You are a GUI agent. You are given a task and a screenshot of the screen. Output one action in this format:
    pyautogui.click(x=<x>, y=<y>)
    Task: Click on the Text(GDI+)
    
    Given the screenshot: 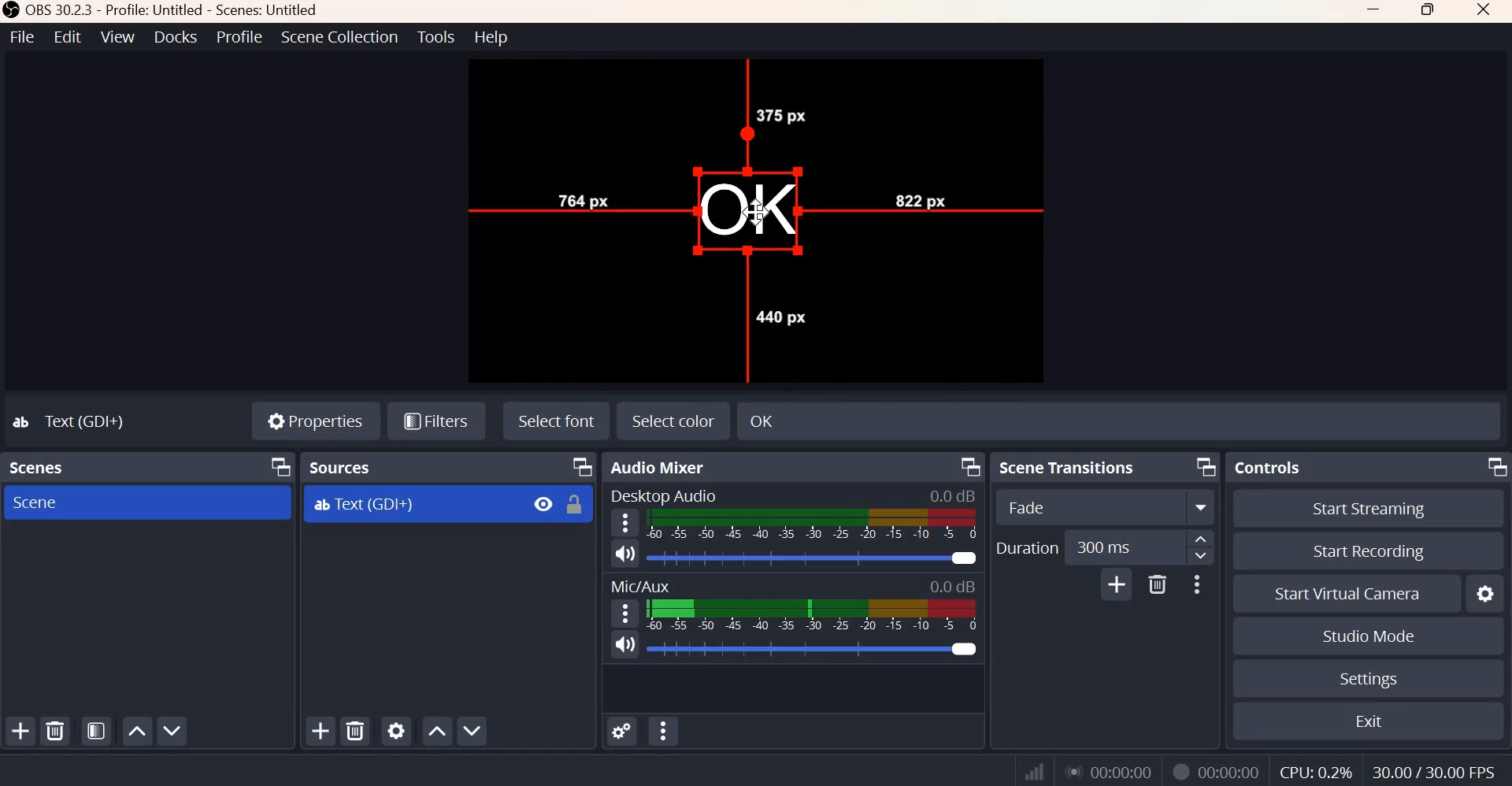 What is the action you would take?
    pyautogui.click(x=72, y=421)
    